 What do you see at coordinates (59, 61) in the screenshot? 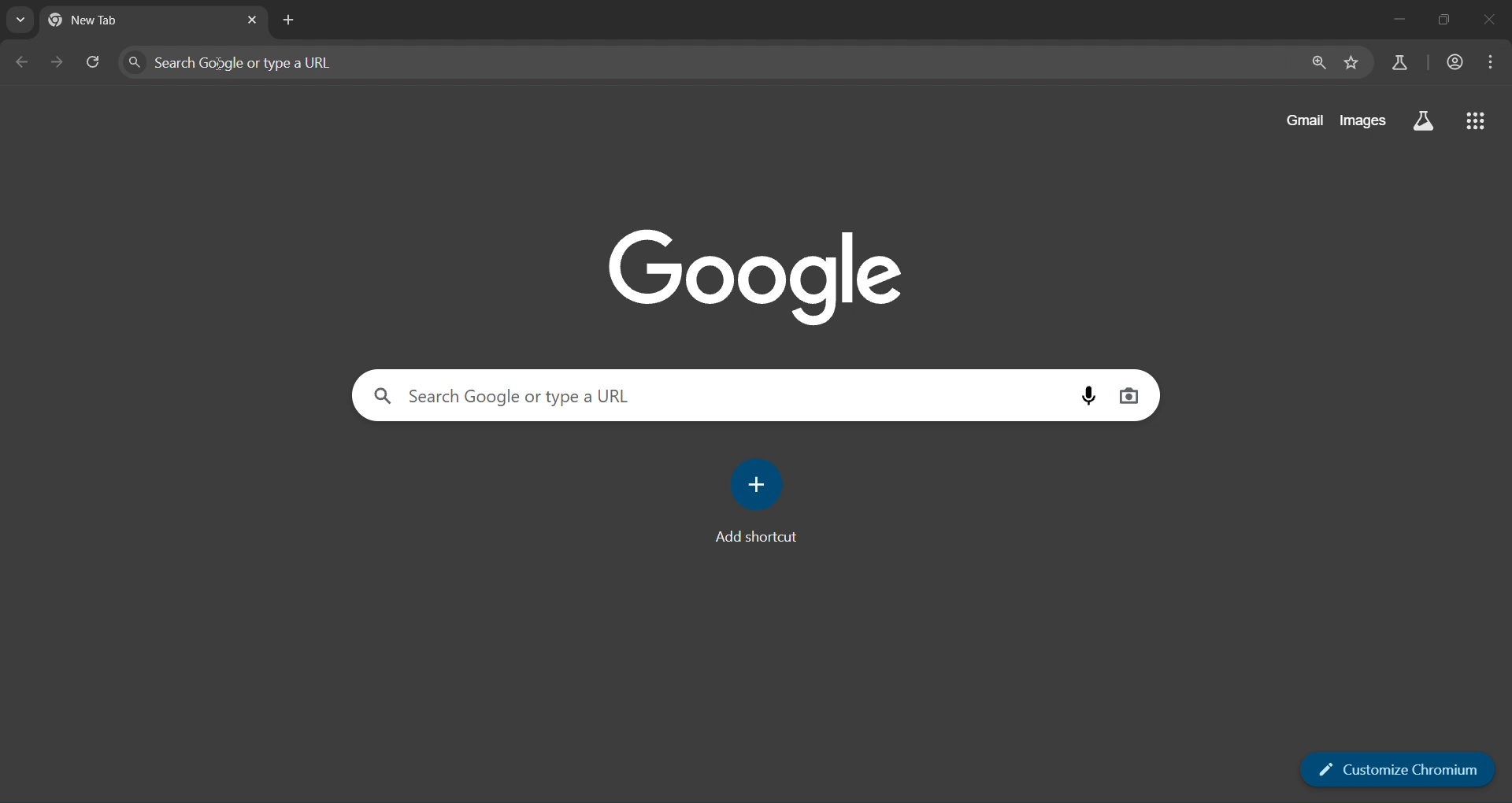
I see `go forward one page` at bounding box center [59, 61].